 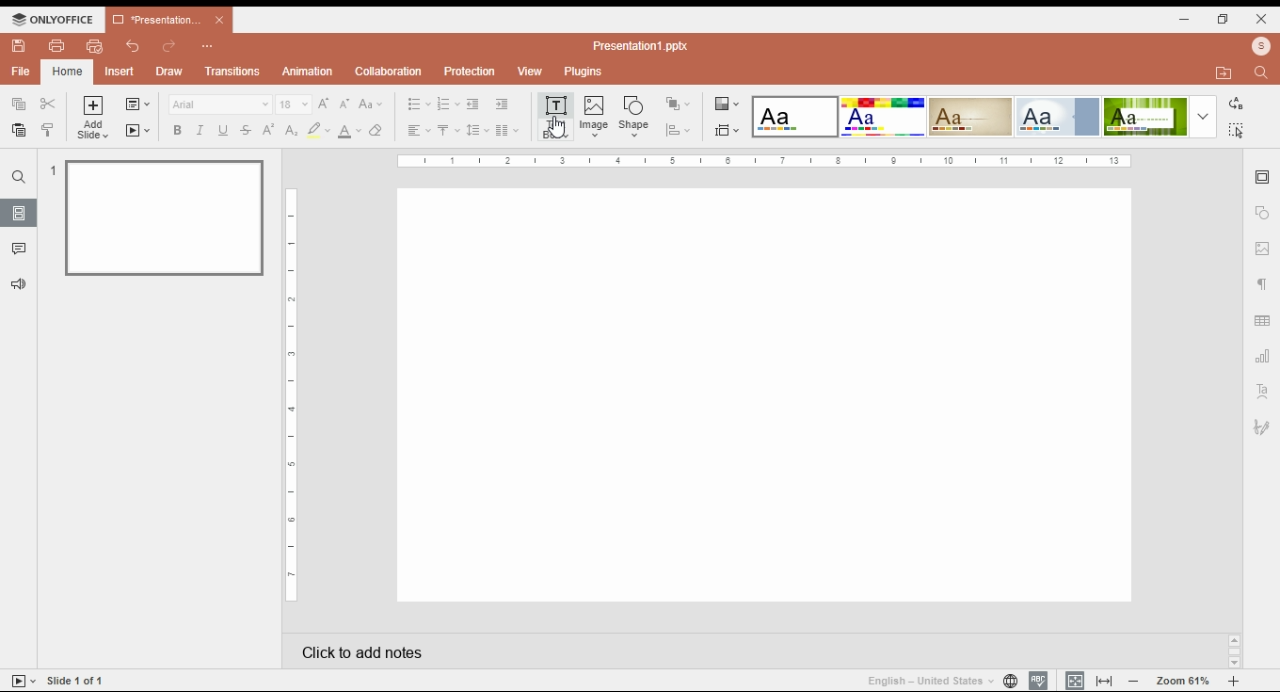 I want to click on increase zoom, so click(x=1234, y=681).